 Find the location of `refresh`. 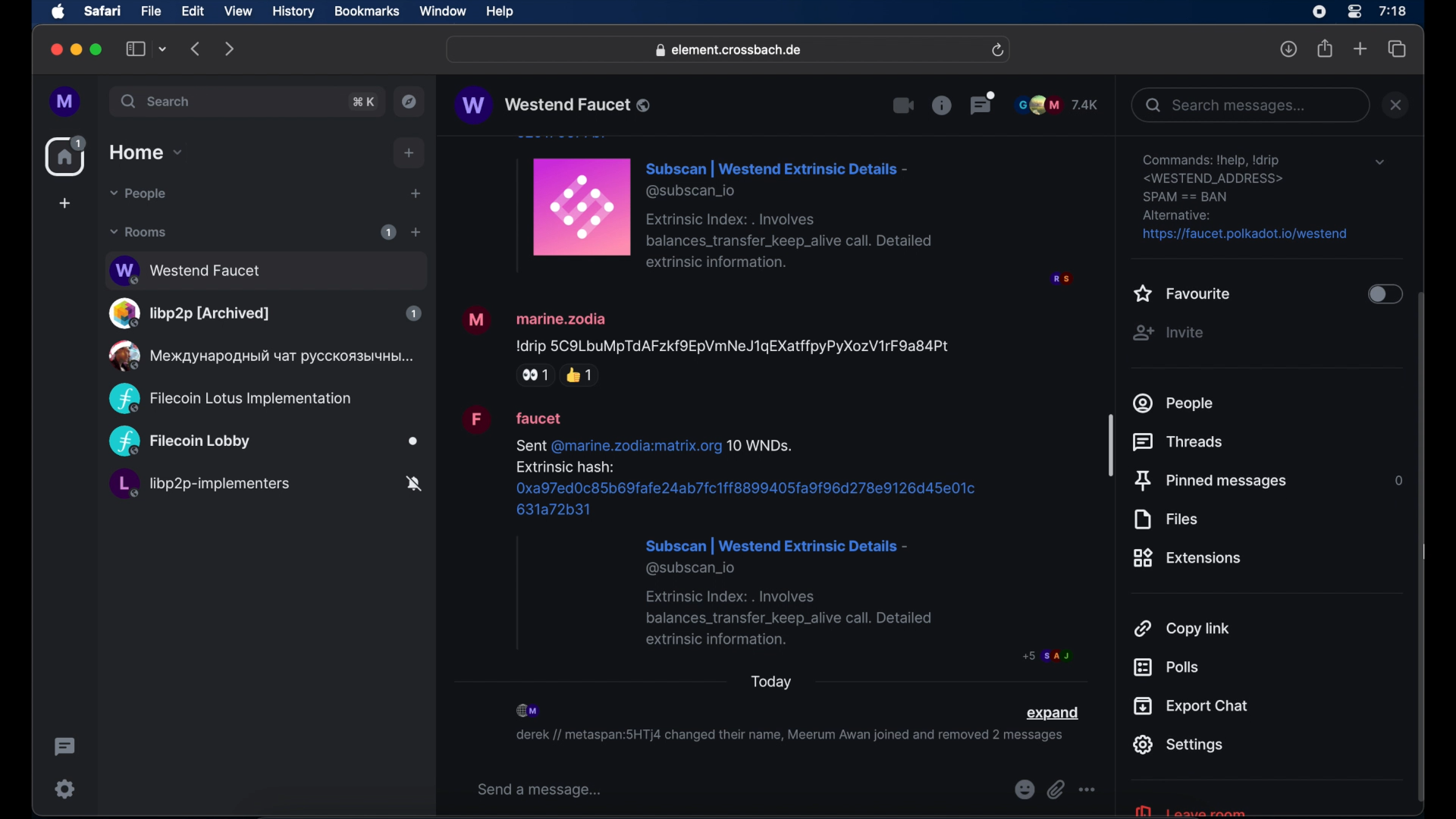

refresh is located at coordinates (997, 51).